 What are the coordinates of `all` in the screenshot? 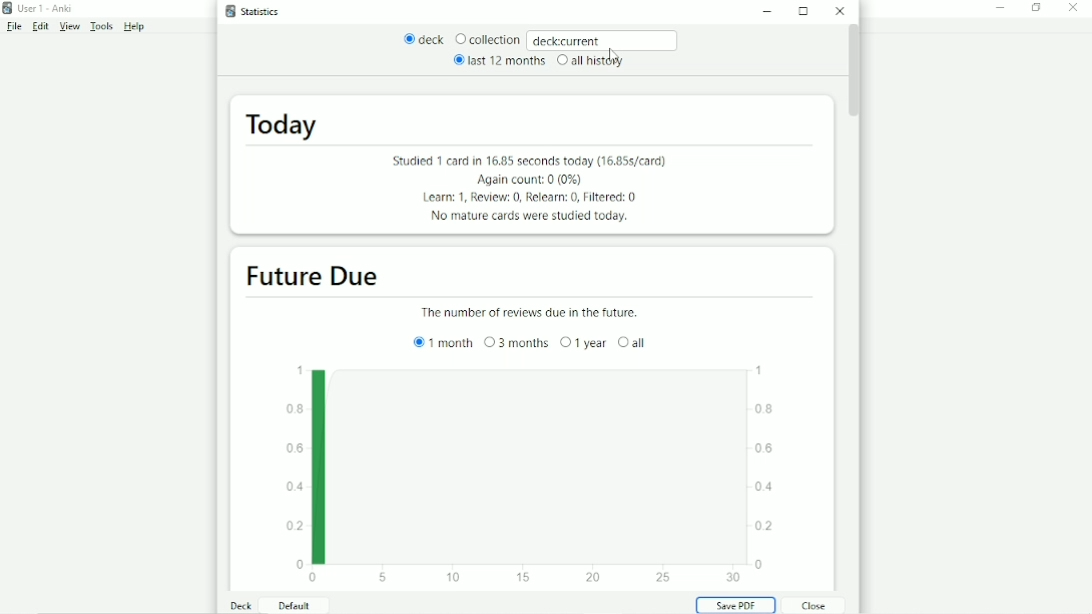 It's located at (632, 341).